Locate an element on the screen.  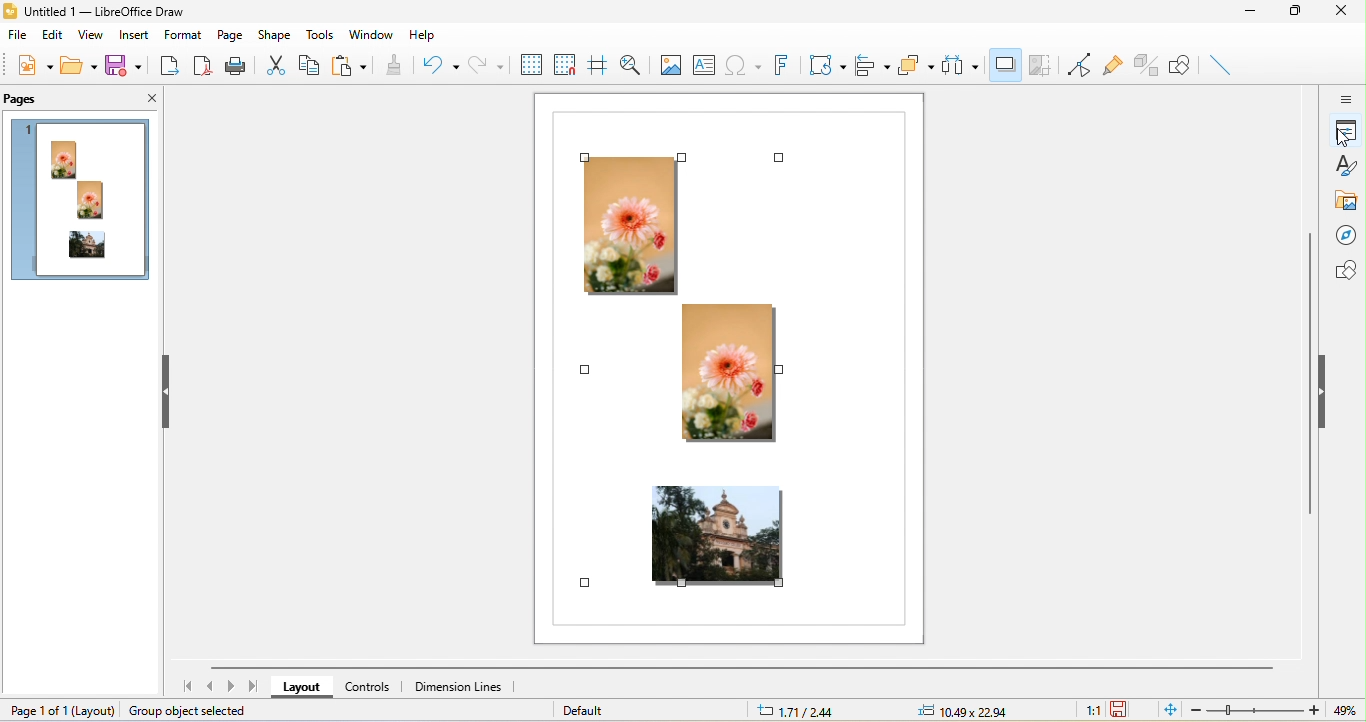
toggle extrusion is located at coordinates (1144, 65).